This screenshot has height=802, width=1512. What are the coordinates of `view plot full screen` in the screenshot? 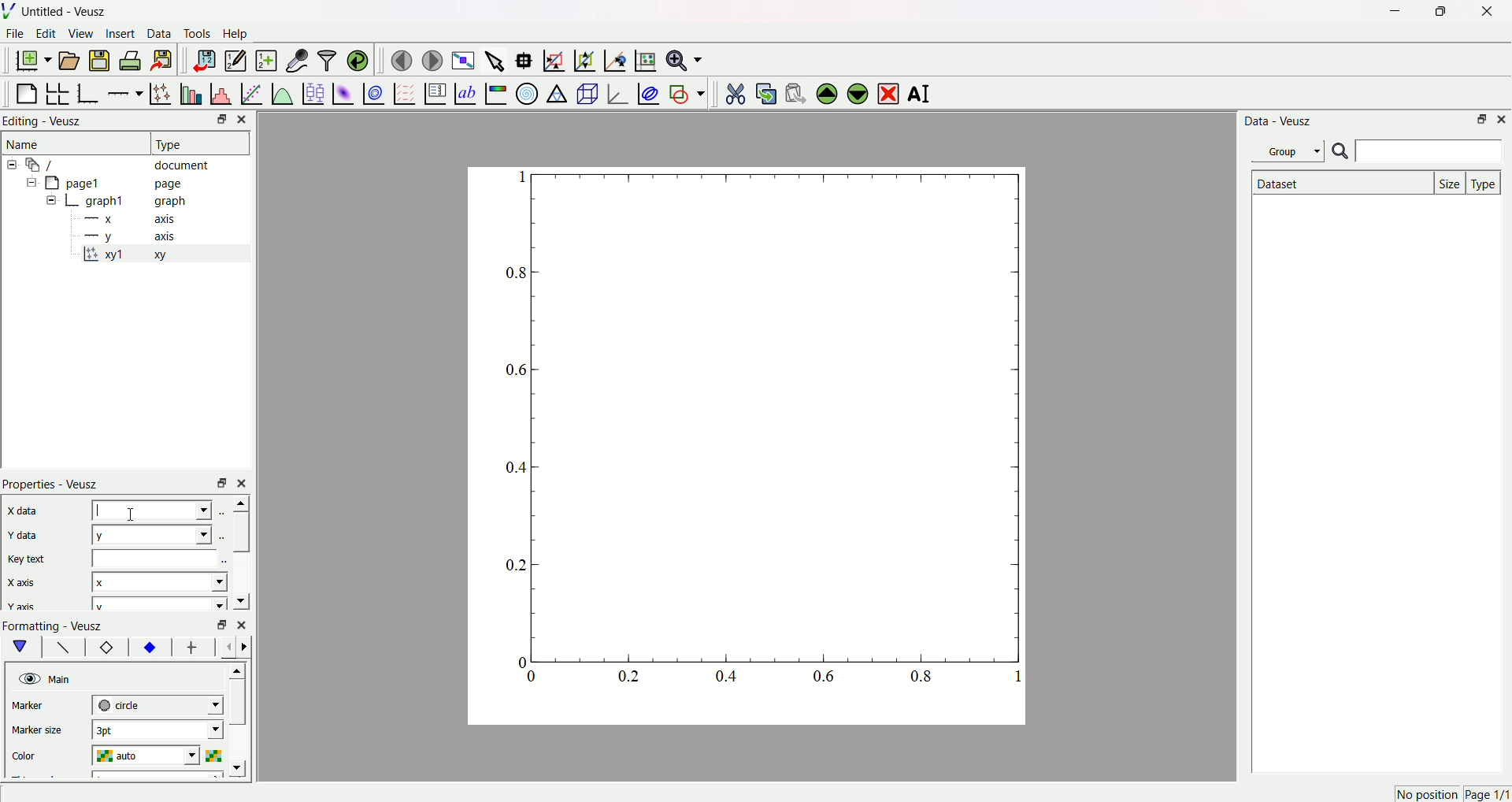 It's located at (464, 58).